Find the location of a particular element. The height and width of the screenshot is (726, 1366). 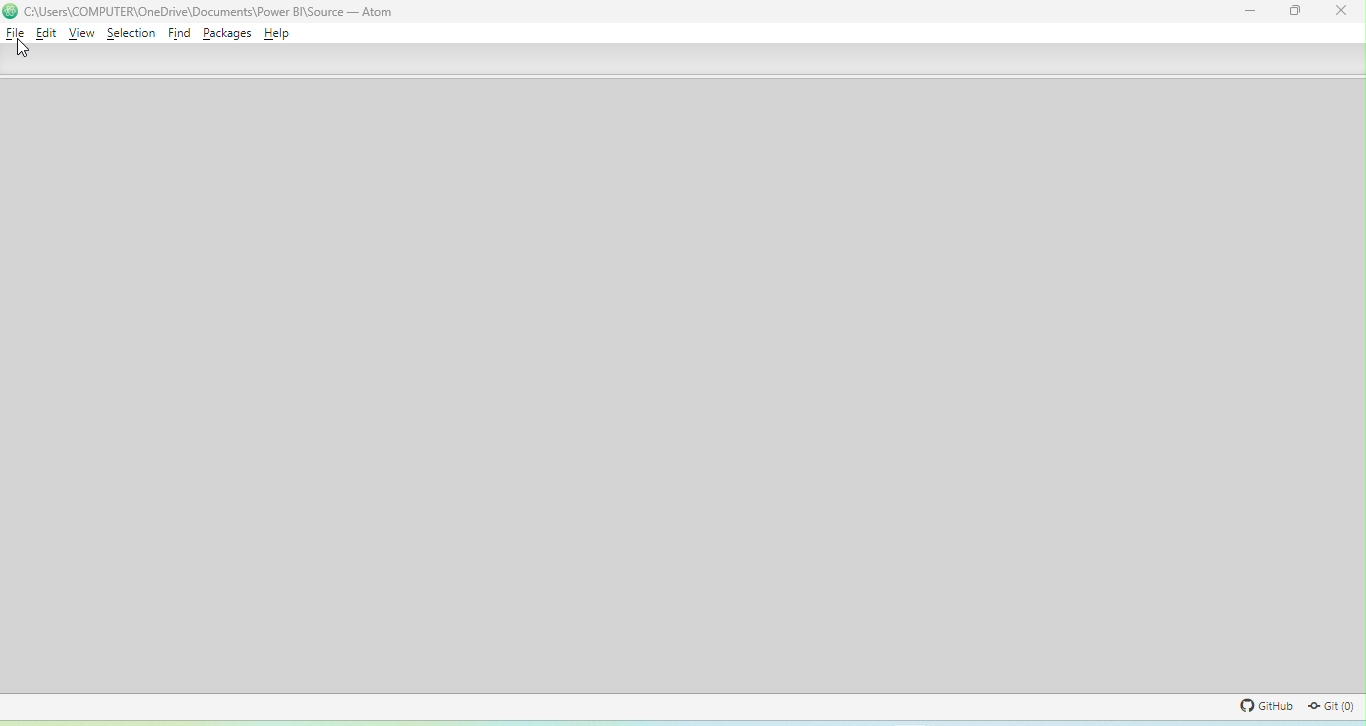

selection menu is located at coordinates (132, 33).